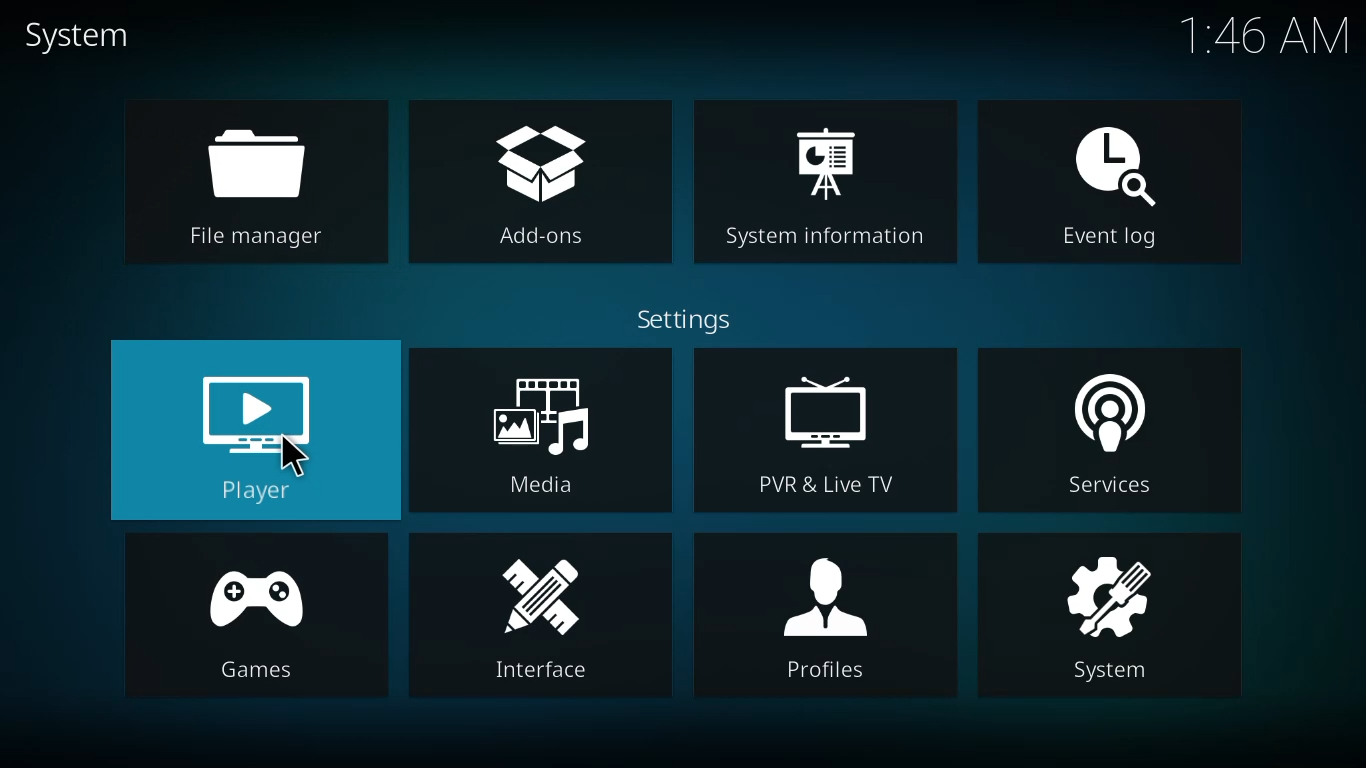 Image resolution: width=1366 pixels, height=768 pixels. What do you see at coordinates (828, 618) in the screenshot?
I see `profiles` at bounding box center [828, 618].